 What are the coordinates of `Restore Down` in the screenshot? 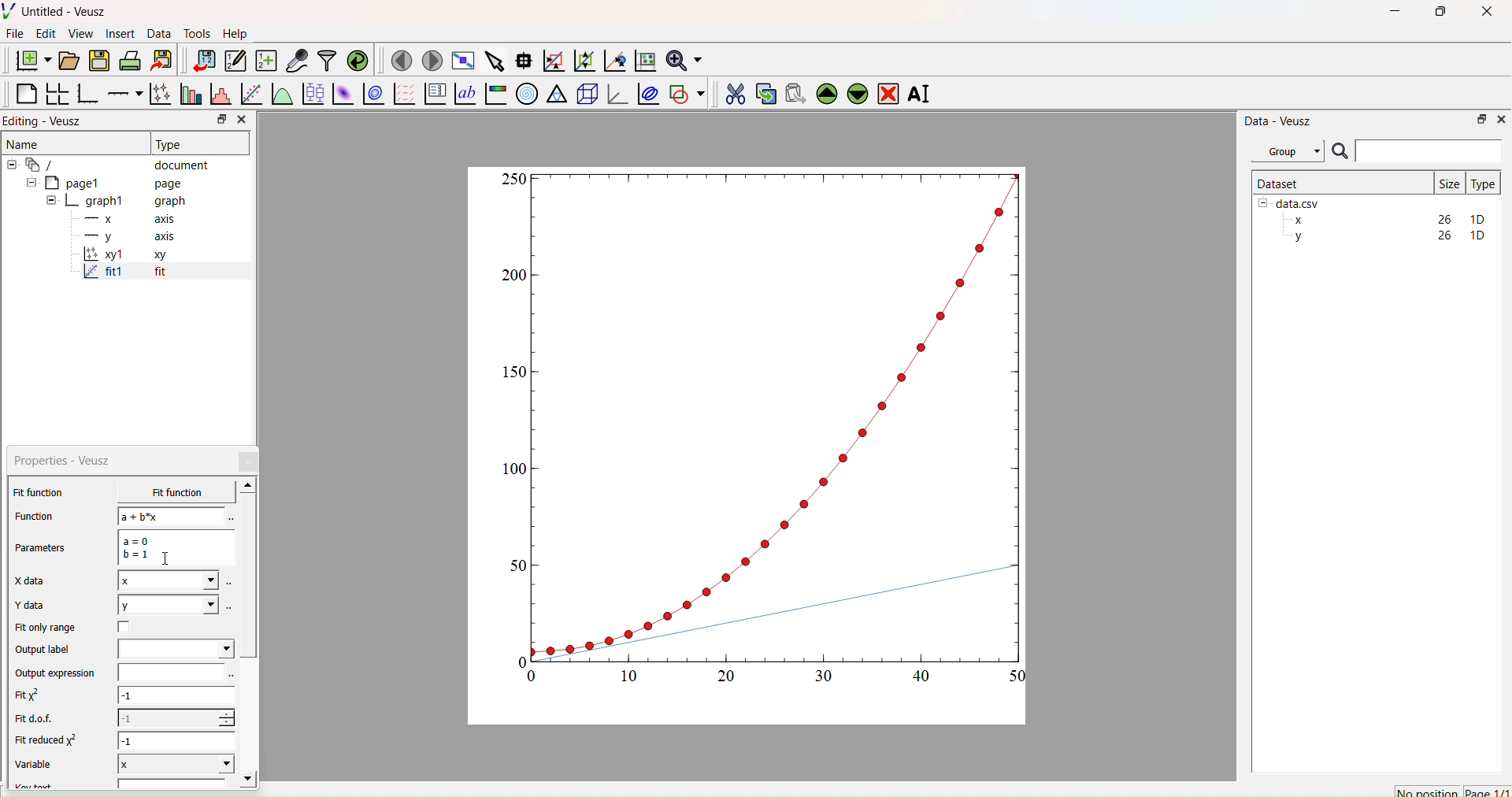 It's located at (1437, 13).